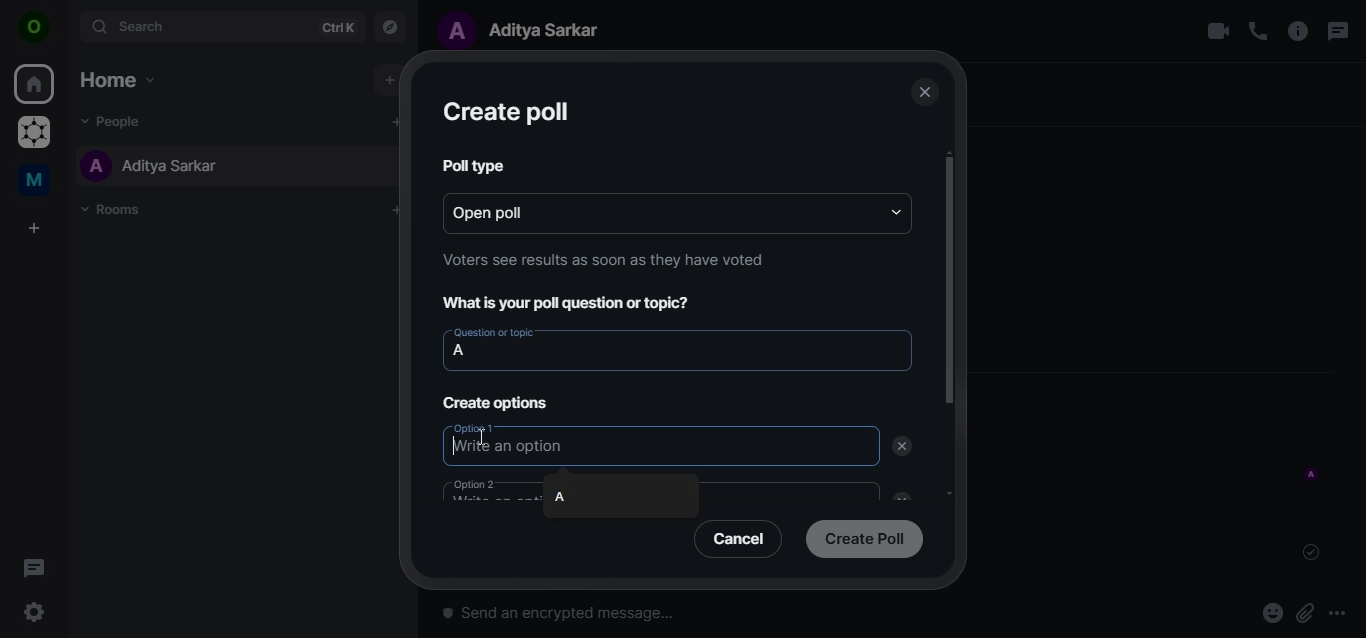 The image size is (1366, 638). What do you see at coordinates (1313, 475) in the screenshot?
I see `message sent by ` at bounding box center [1313, 475].